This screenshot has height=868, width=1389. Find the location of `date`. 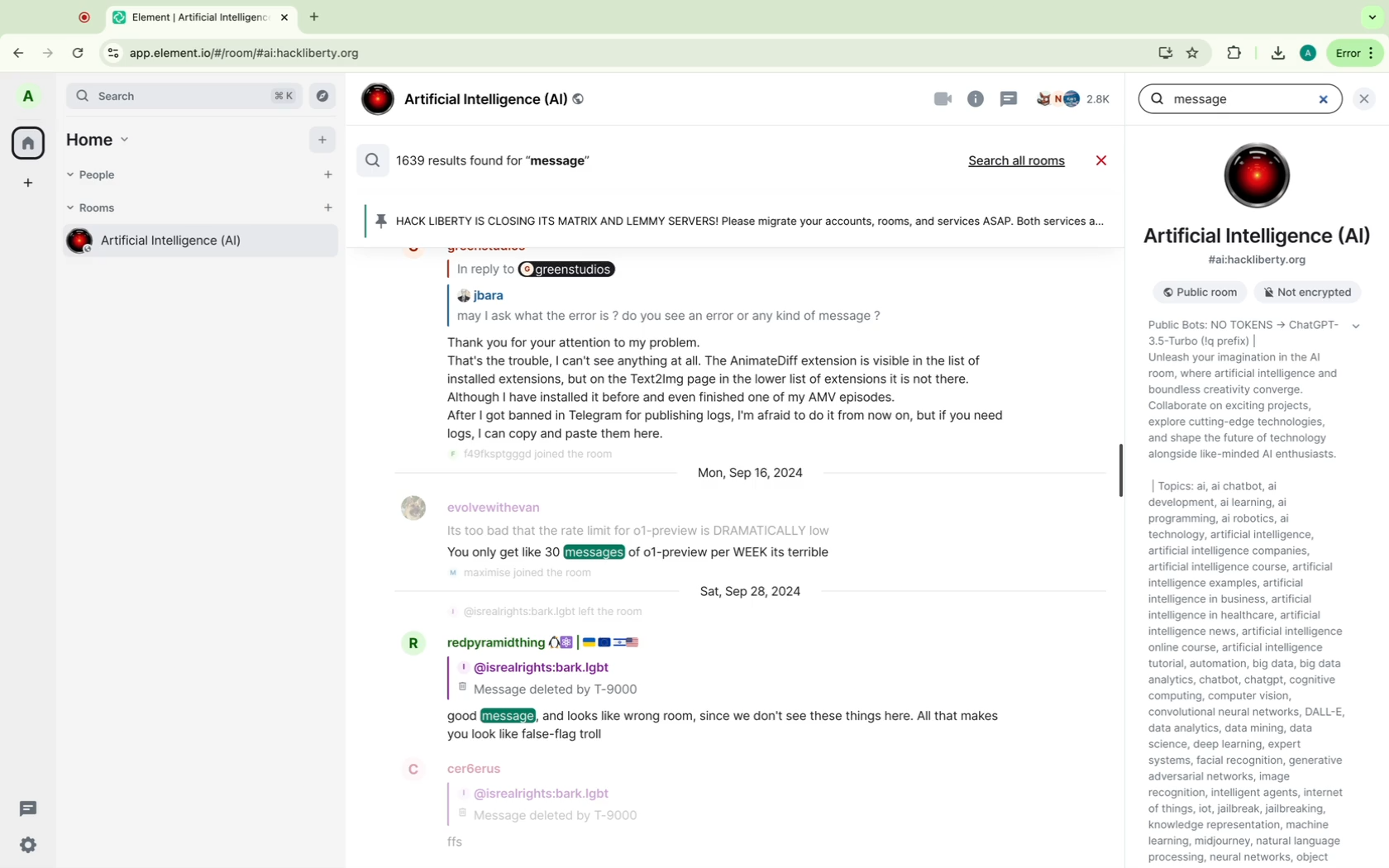

date is located at coordinates (756, 475).